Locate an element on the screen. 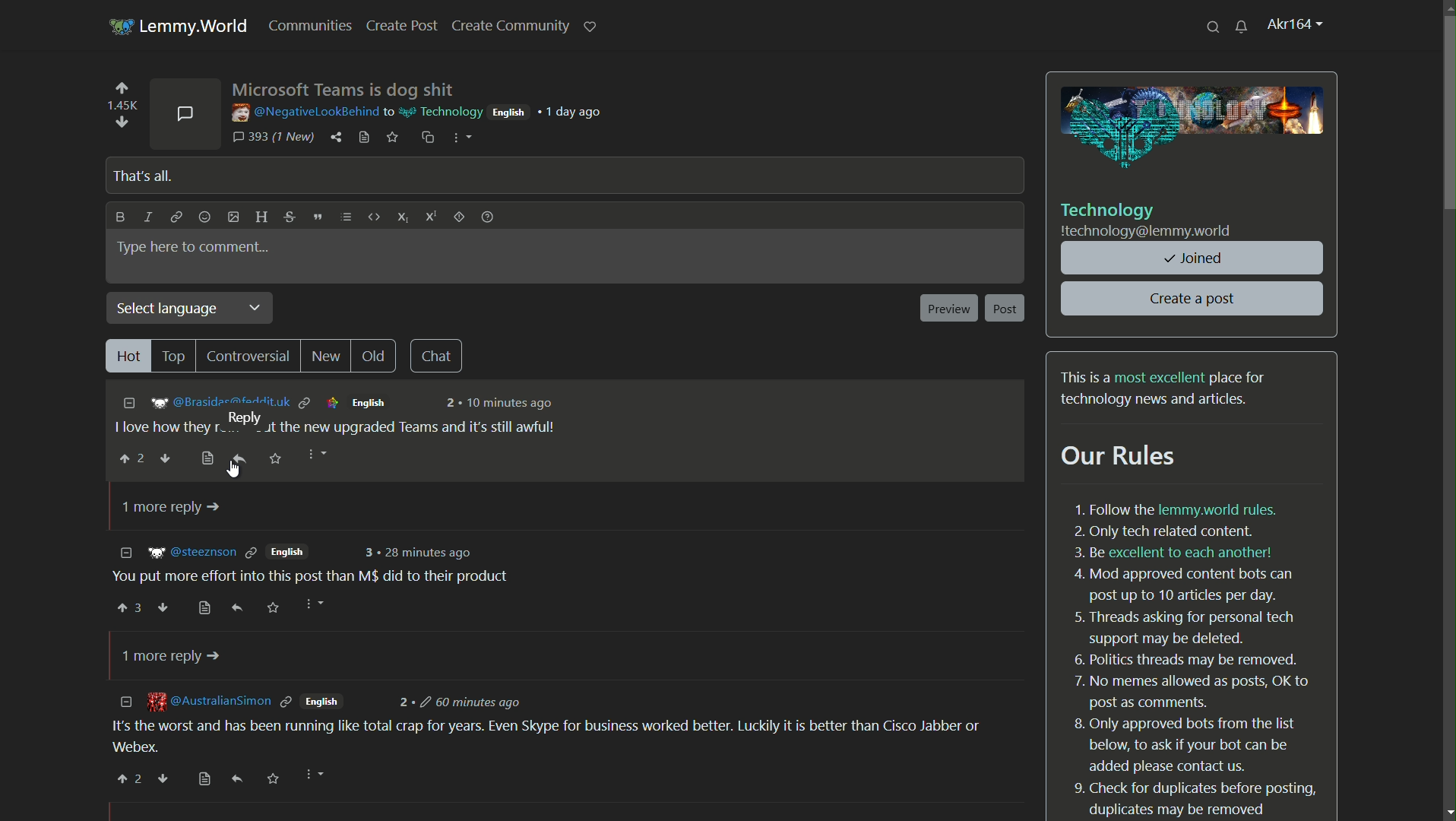 The height and width of the screenshot is (821, 1456). header is located at coordinates (258, 217).